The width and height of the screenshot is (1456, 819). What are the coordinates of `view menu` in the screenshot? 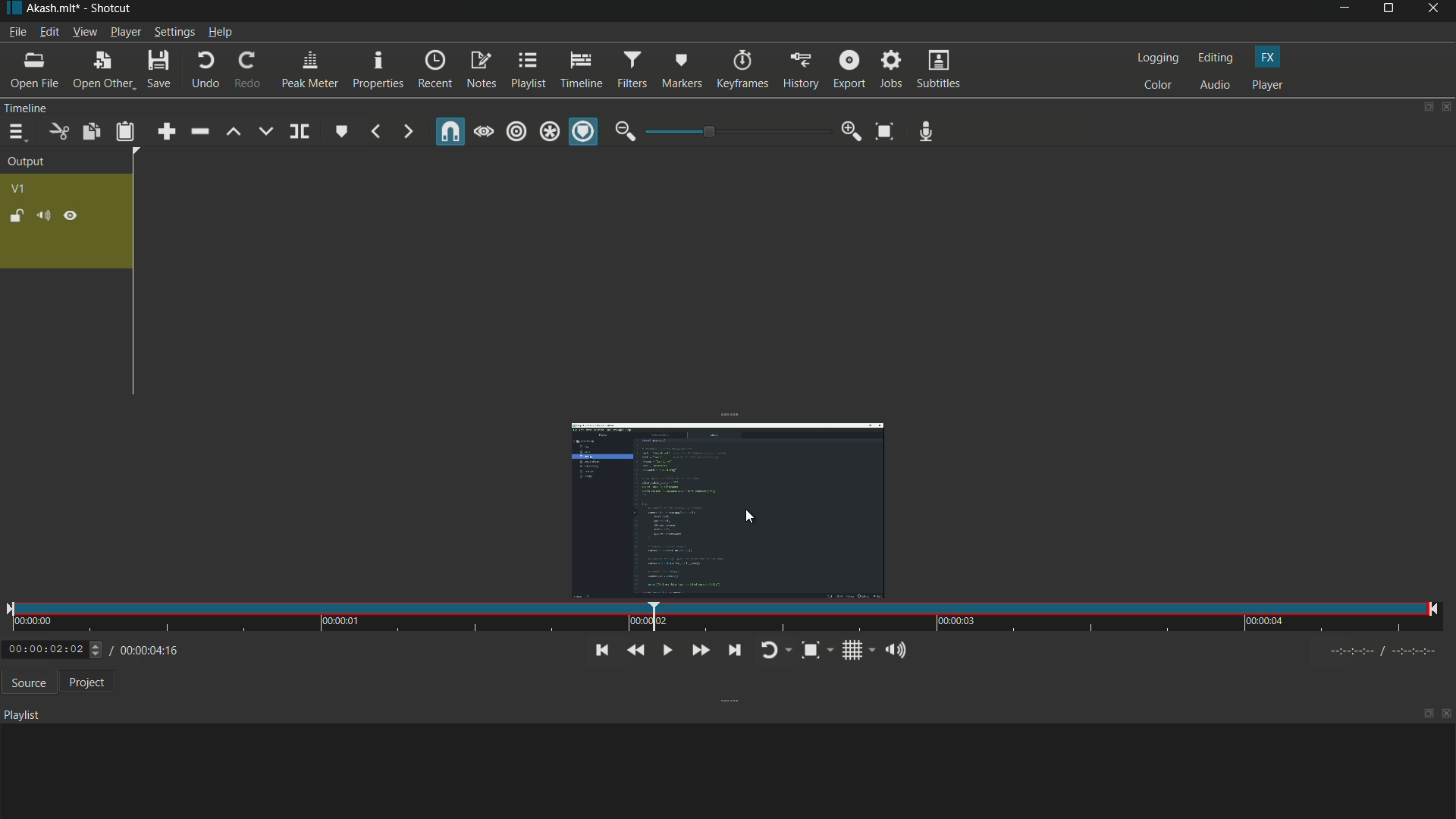 It's located at (83, 32).